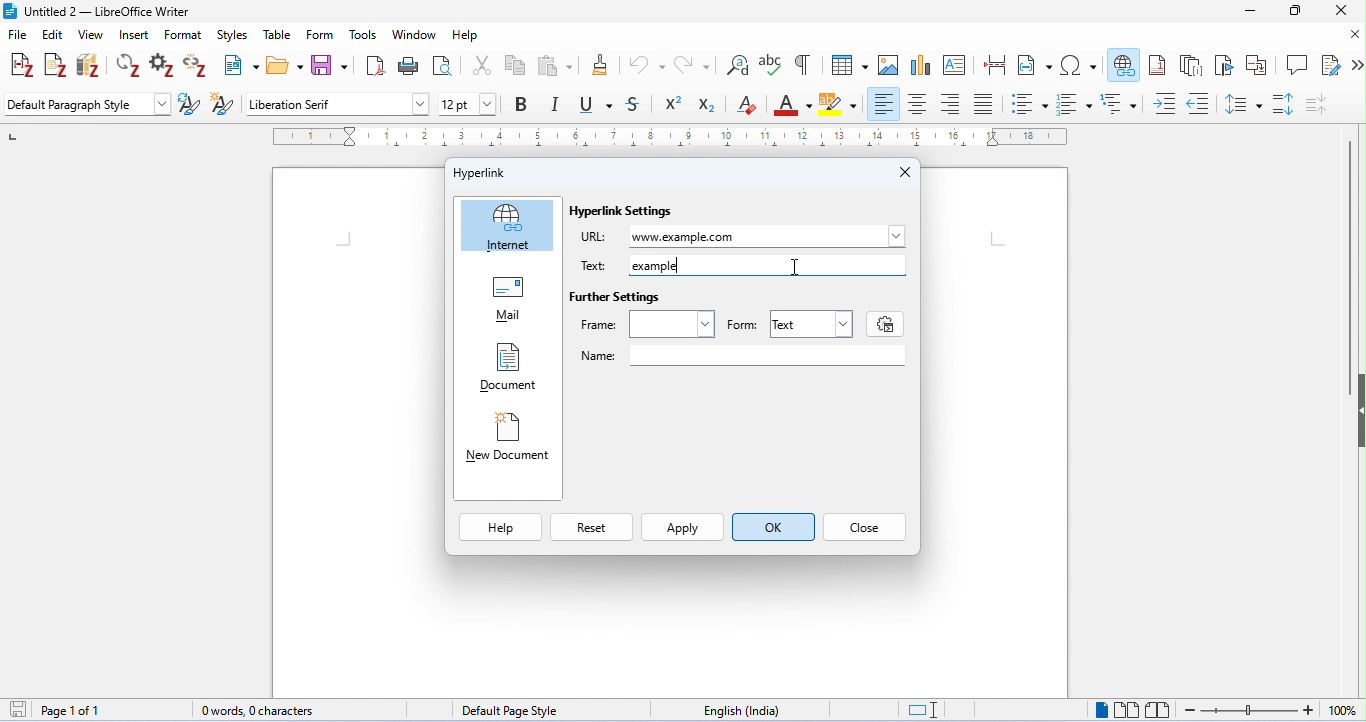 This screenshot has width=1366, height=722. I want to click on undo, so click(647, 65).